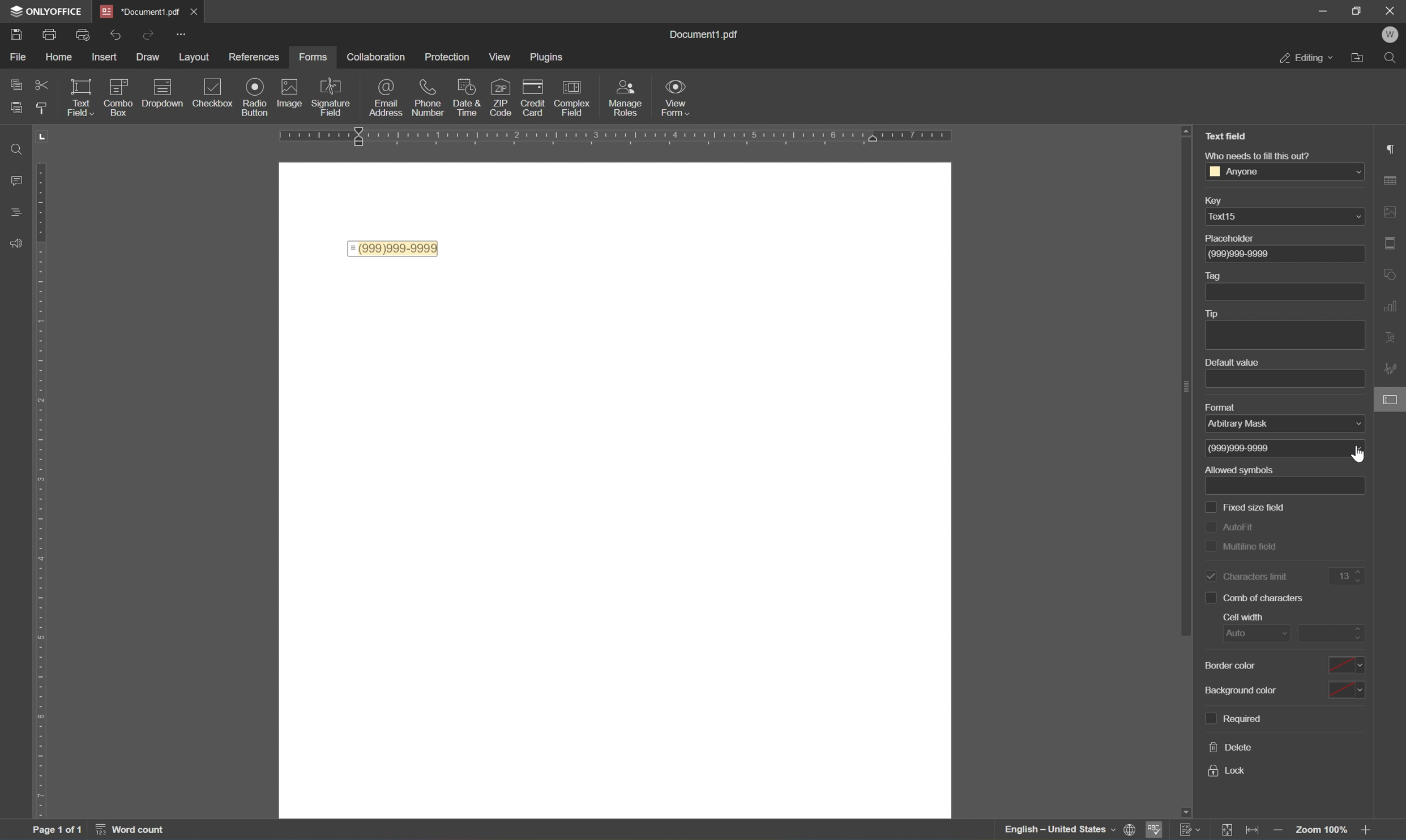 The width and height of the screenshot is (1406, 840). Describe the element at coordinates (134, 829) in the screenshot. I see `word count` at that location.